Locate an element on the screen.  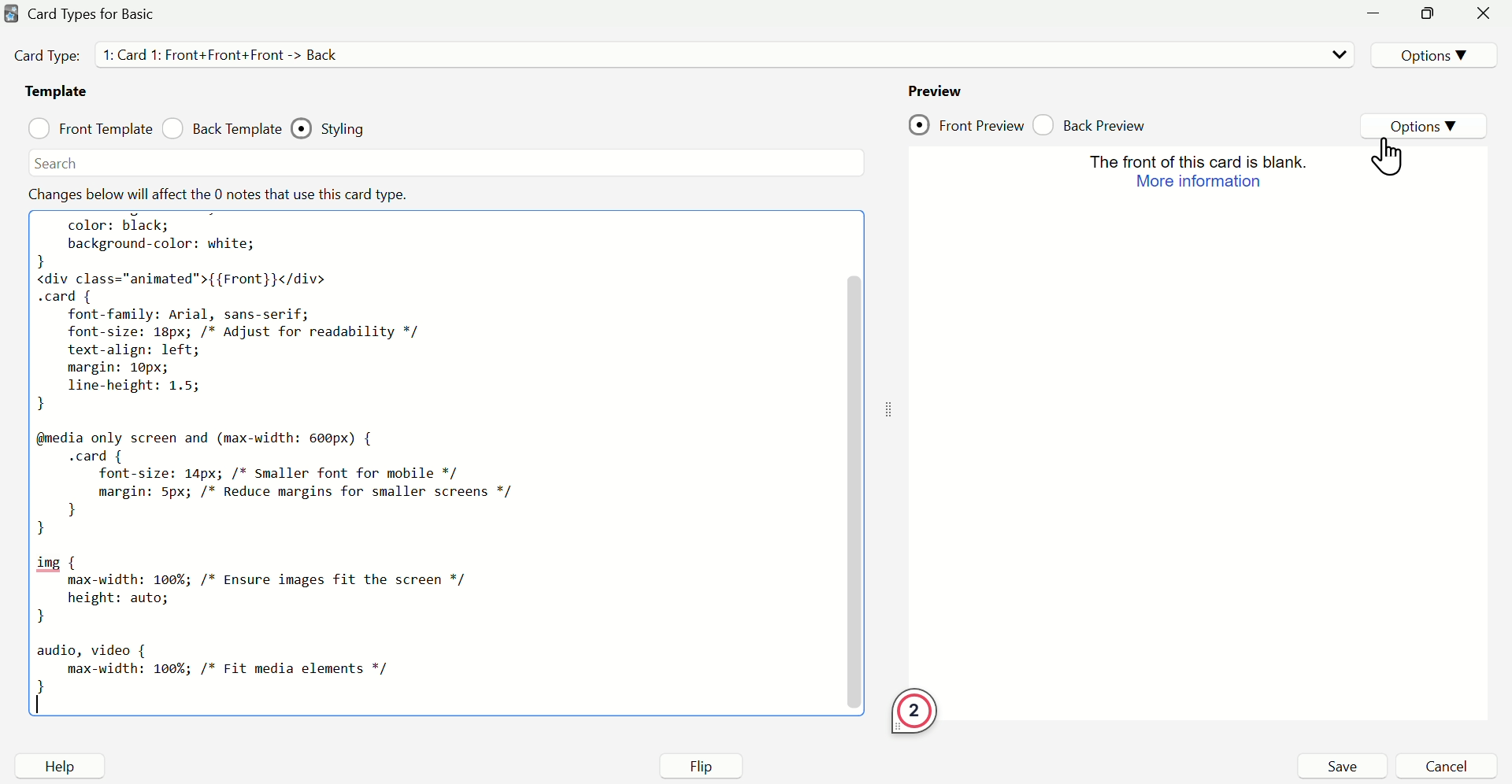
Save is located at coordinates (1341, 766).